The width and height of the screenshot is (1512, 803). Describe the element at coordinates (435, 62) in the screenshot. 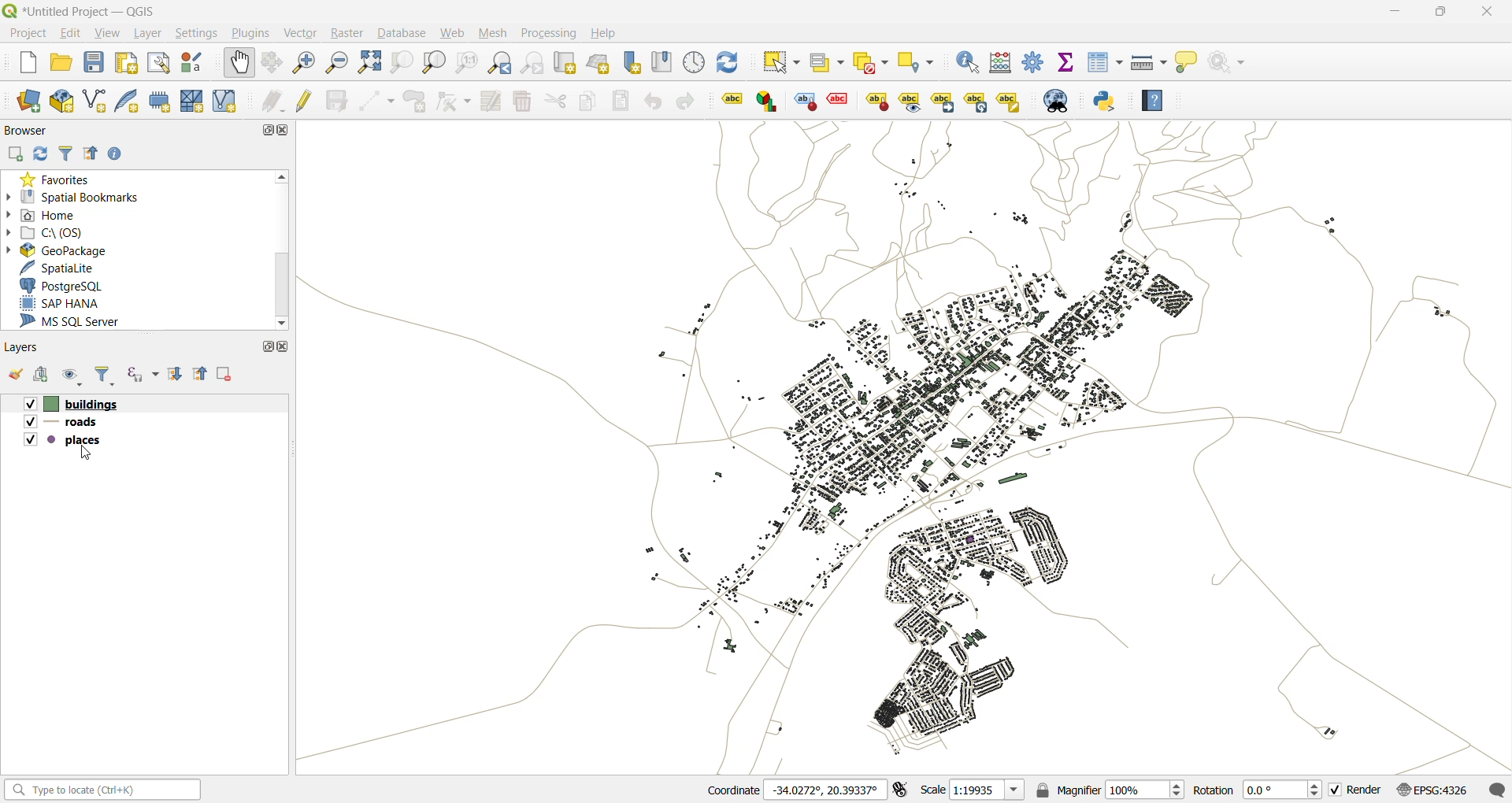

I see `zoom layer` at that location.